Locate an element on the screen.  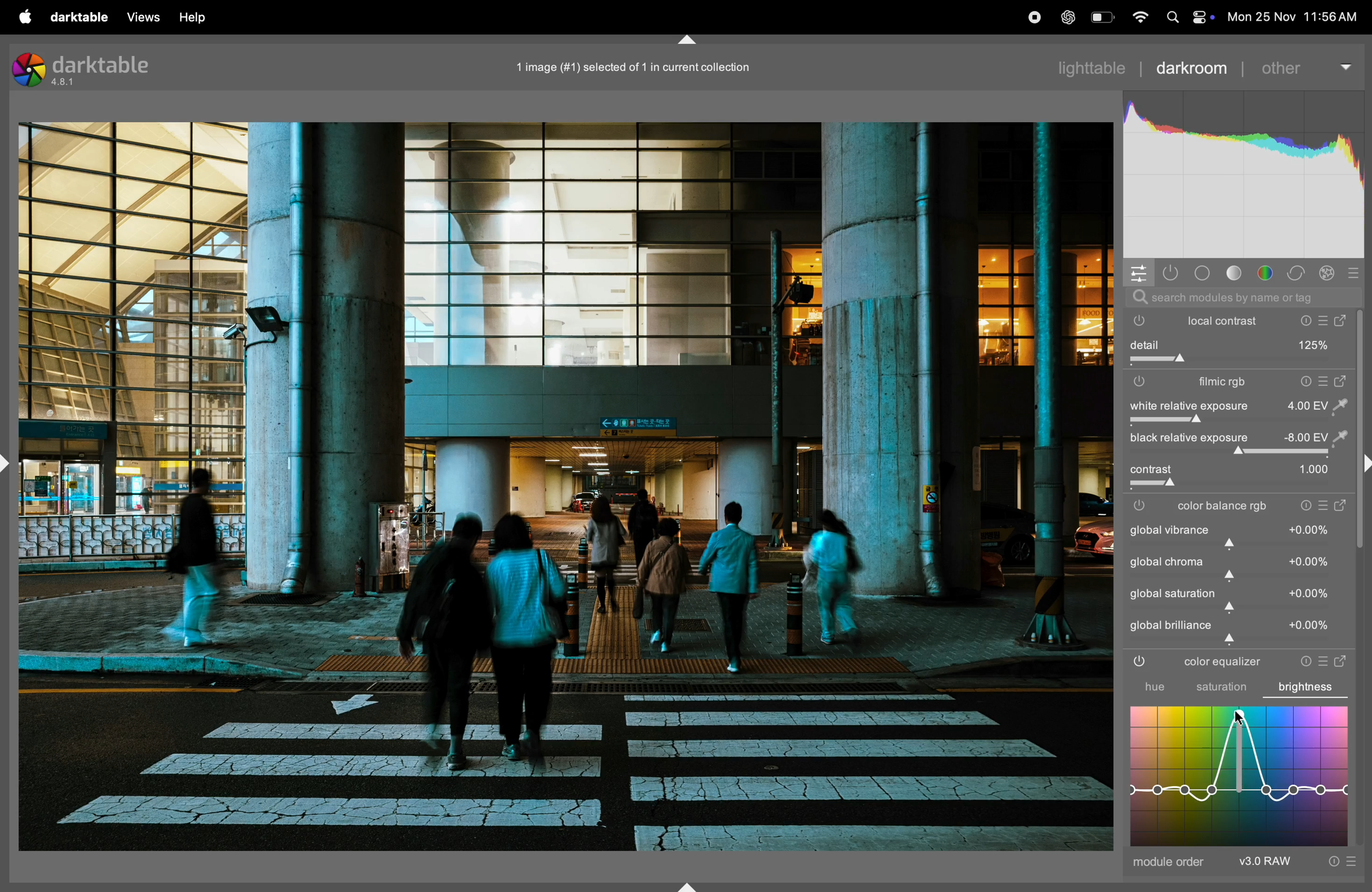
detail is located at coordinates (1238, 344).